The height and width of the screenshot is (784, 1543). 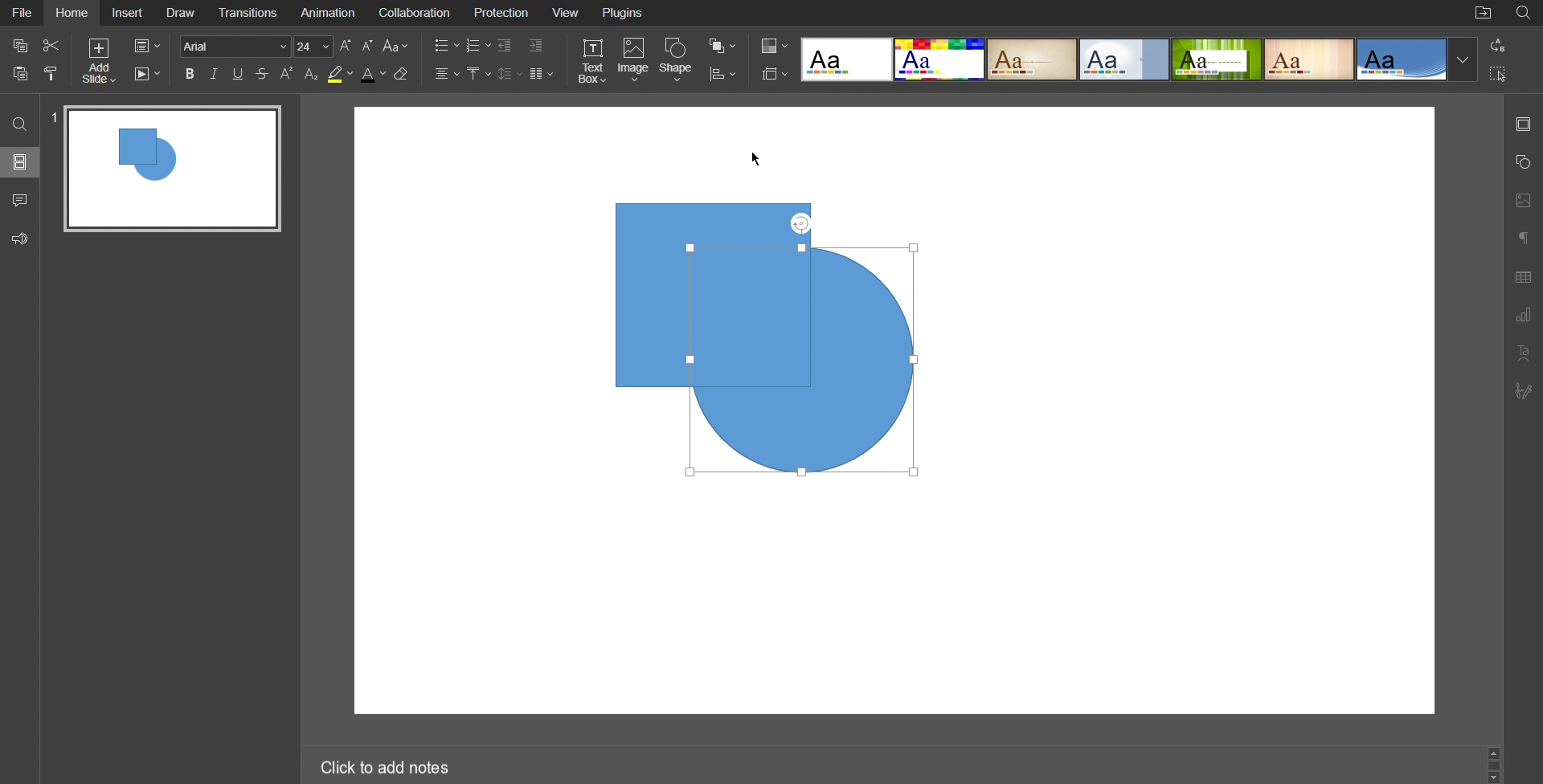 What do you see at coordinates (477, 72) in the screenshot?
I see `Vertical Align` at bounding box center [477, 72].